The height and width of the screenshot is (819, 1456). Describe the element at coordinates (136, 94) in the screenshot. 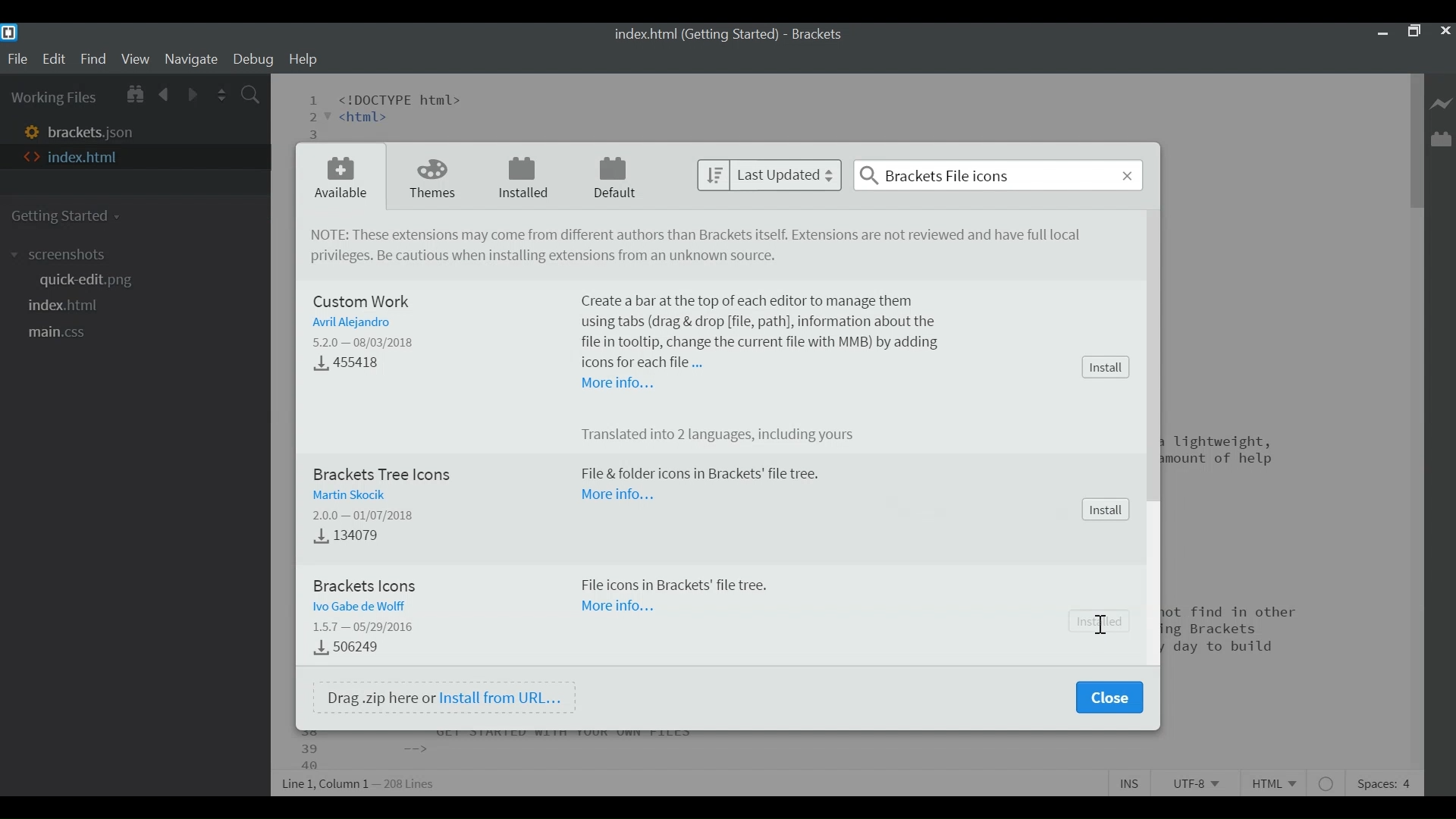

I see `Show in File tree` at that location.